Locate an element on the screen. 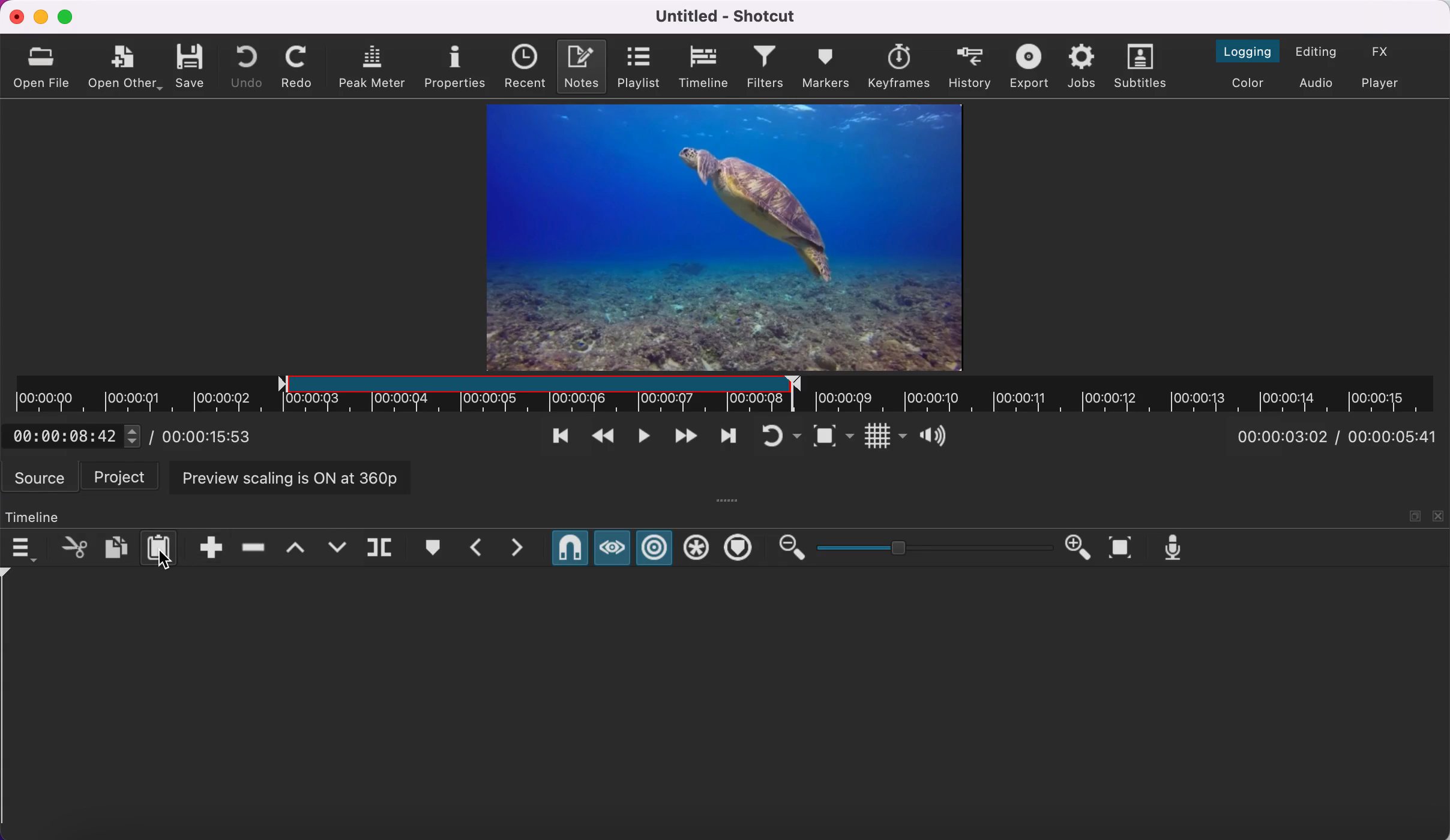 The image size is (1450, 840). zoom in is located at coordinates (1081, 548).